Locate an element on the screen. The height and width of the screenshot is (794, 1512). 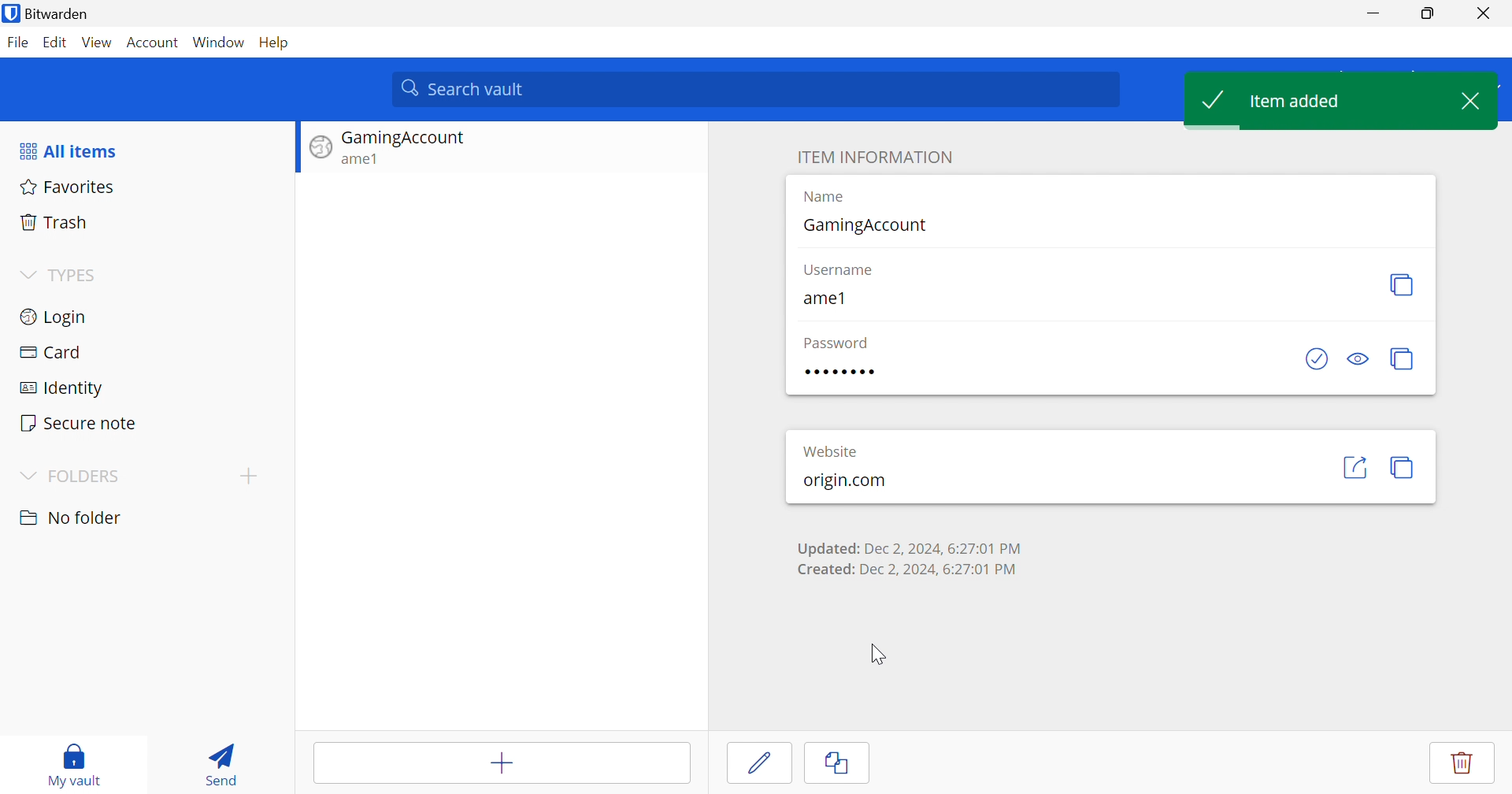
Card is located at coordinates (53, 354).